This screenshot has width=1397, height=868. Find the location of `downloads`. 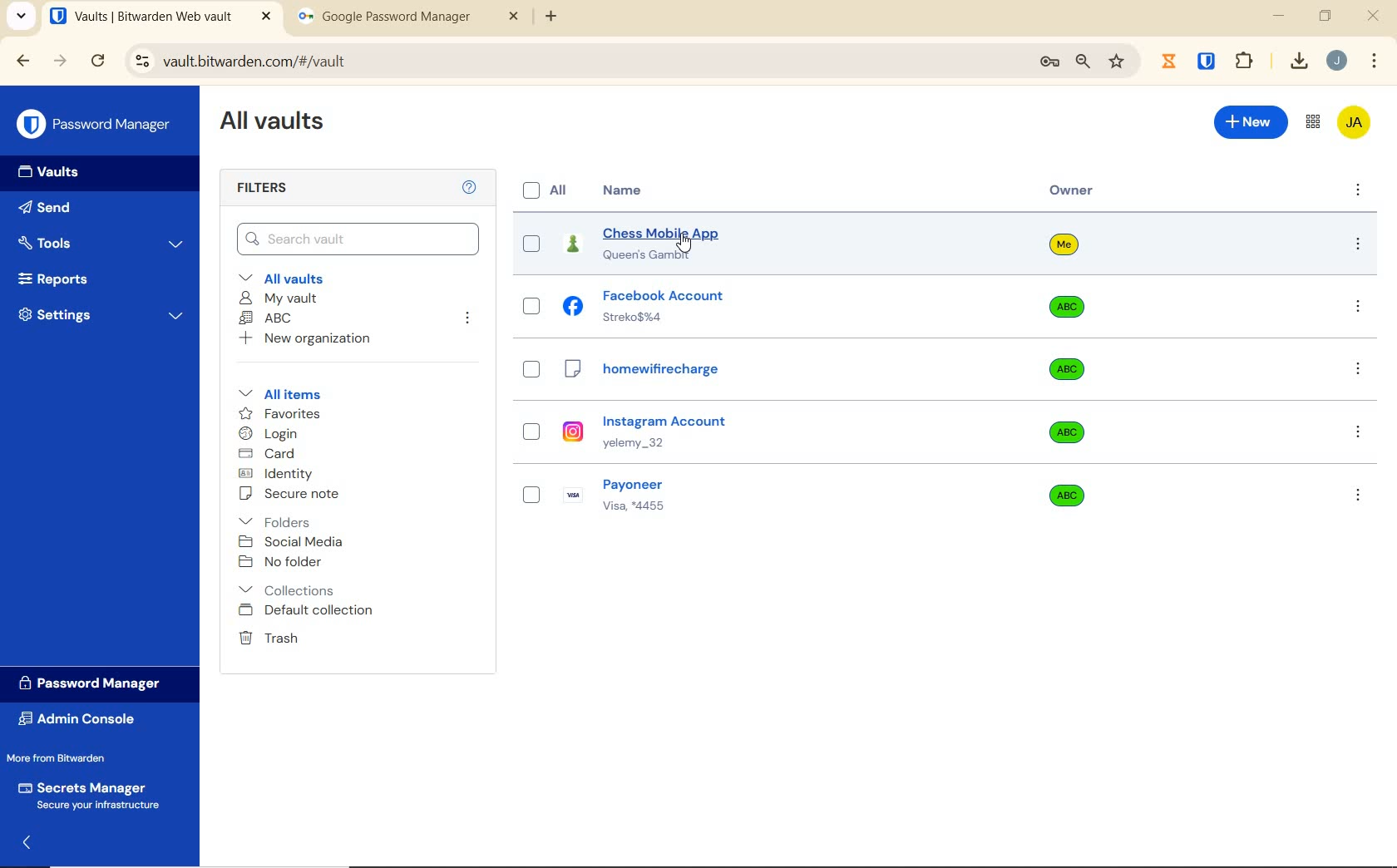

downloads is located at coordinates (1294, 62).